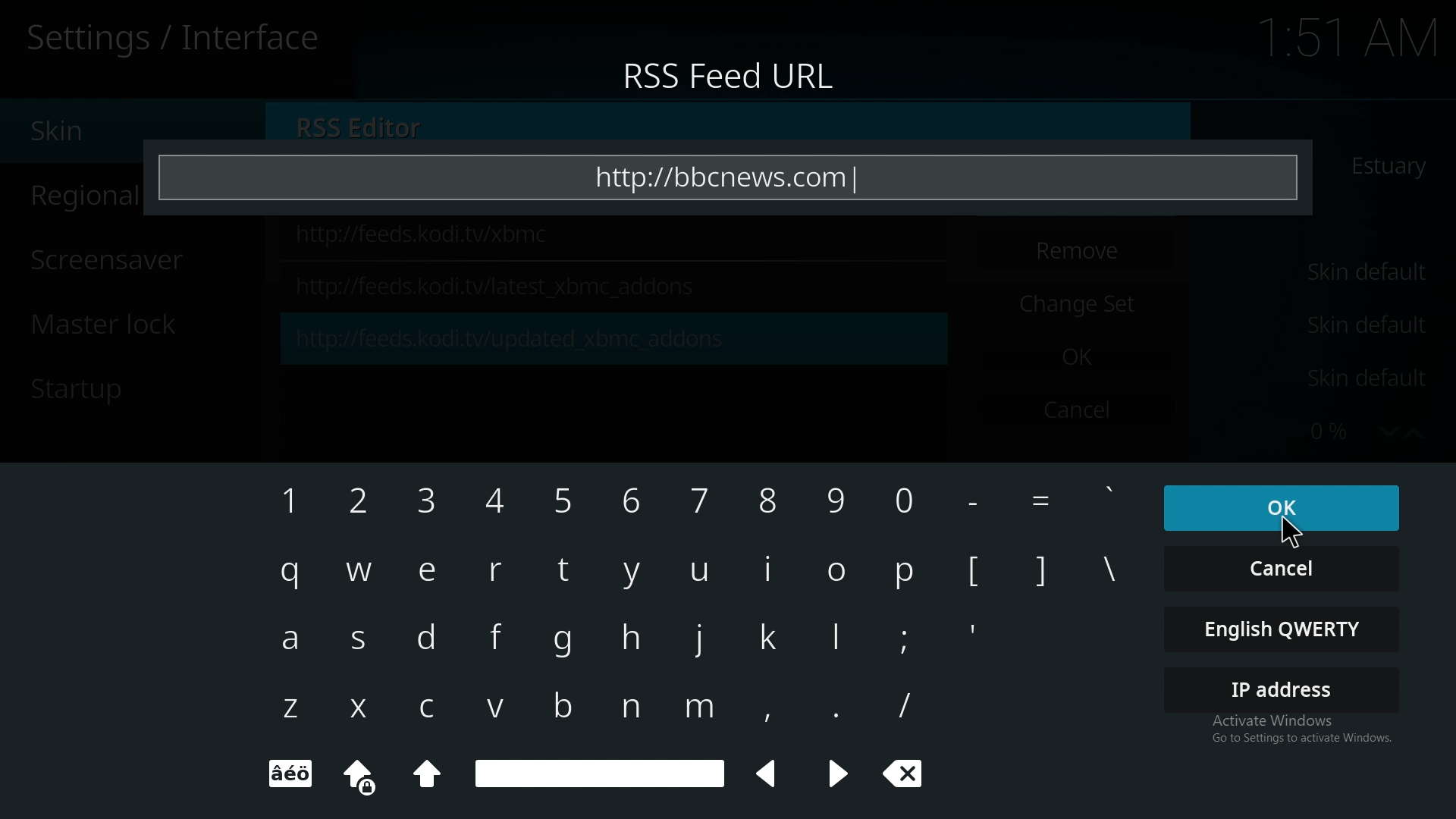 The image size is (1456, 819). What do you see at coordinates (836, 635) in the screenshot?
I see `keyboard Input` at bounding box center [836, 635].